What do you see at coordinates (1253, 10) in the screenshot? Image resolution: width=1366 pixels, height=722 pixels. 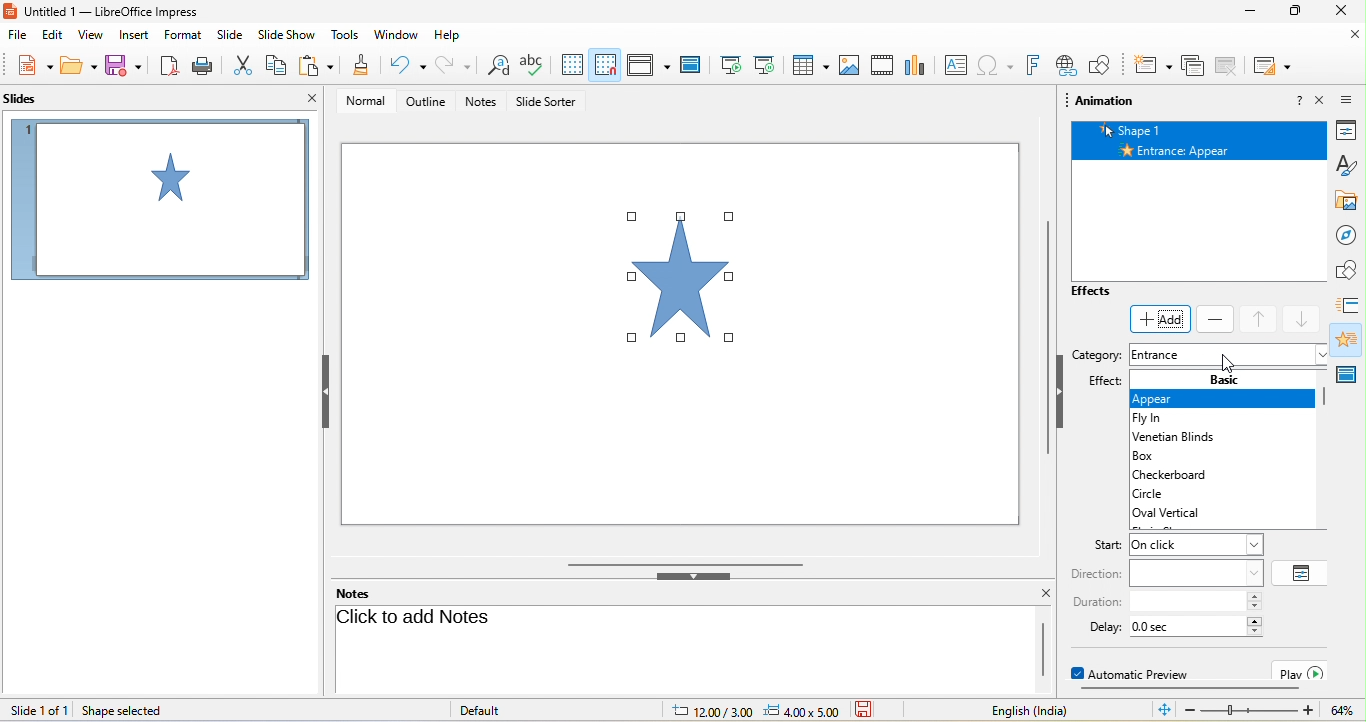 I see `minimize` at bounding box center [1253, 10].